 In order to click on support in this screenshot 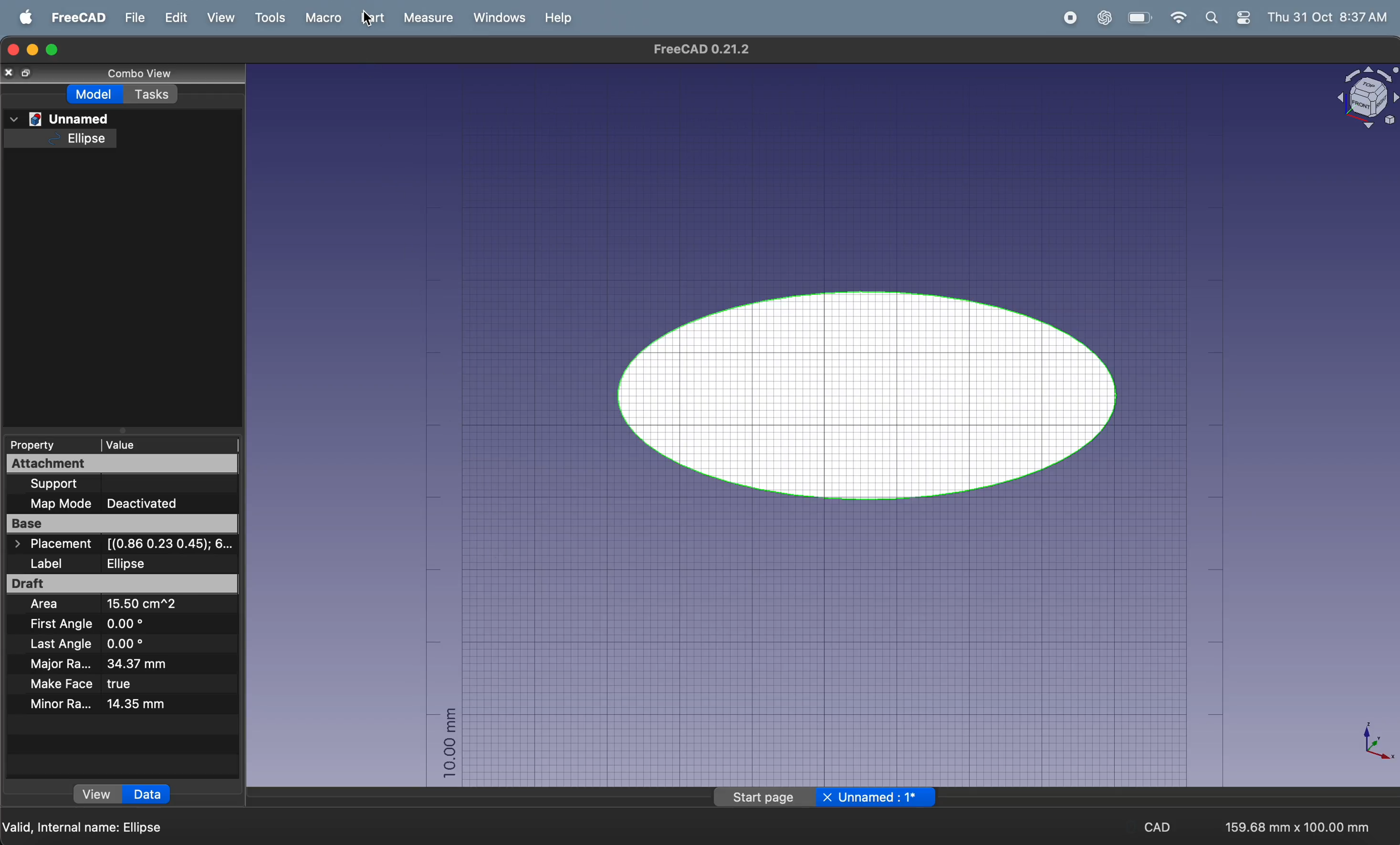, I will do `click(125, 485)`.